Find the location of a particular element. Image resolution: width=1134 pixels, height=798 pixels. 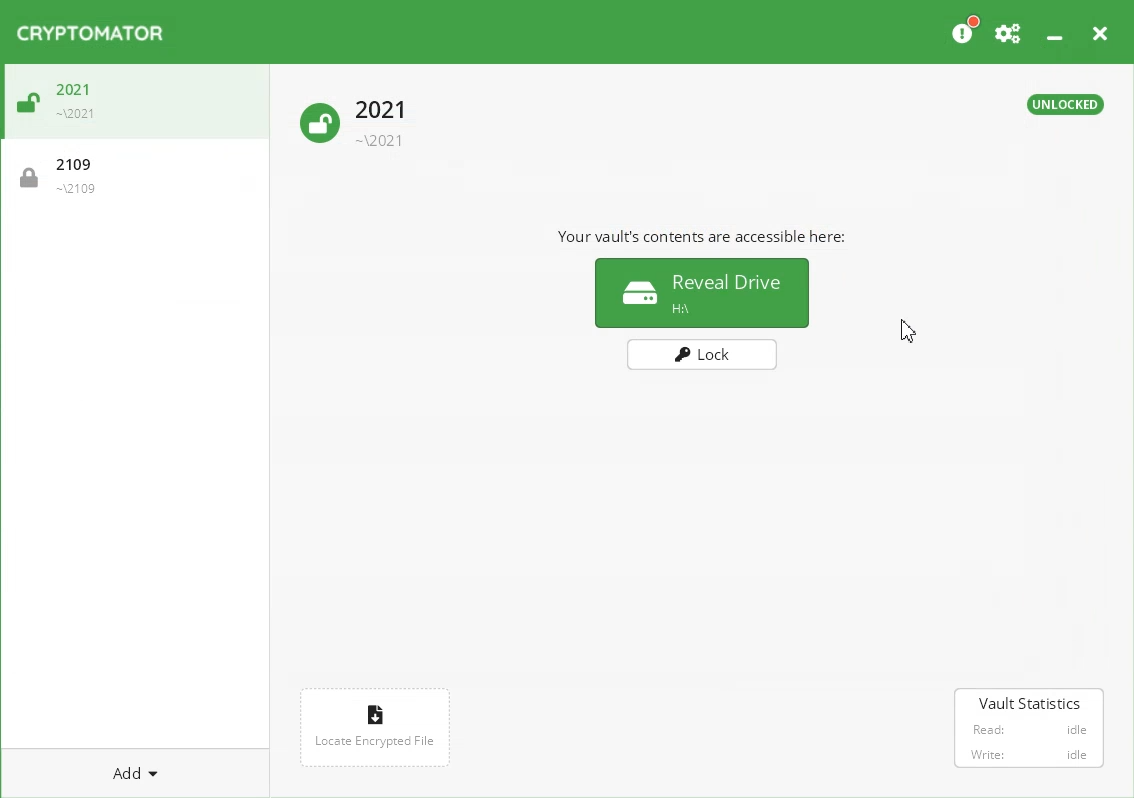

Cursor is located at coordinates (908, 330).